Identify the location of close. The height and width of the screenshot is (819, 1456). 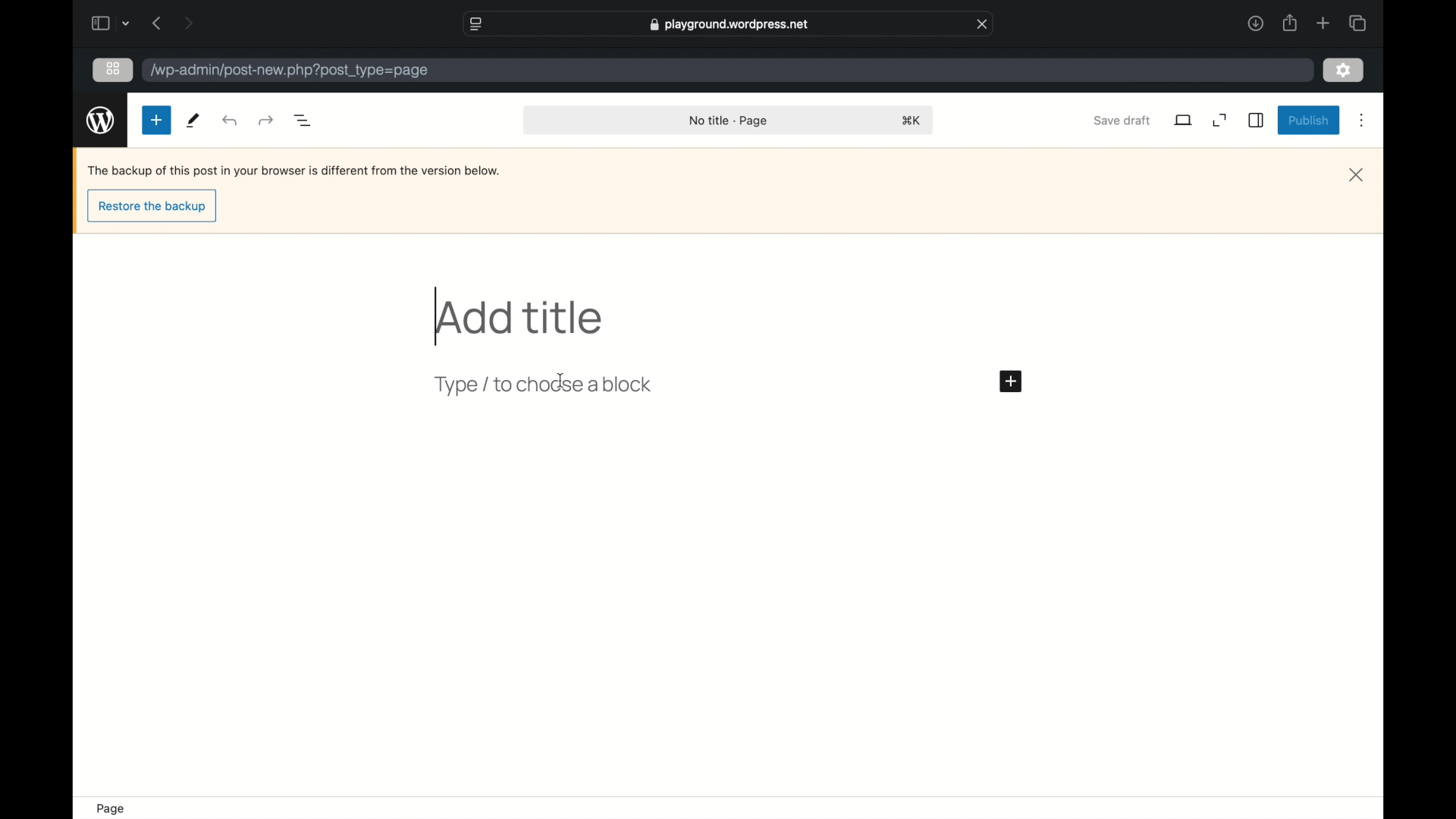
(983, 23).